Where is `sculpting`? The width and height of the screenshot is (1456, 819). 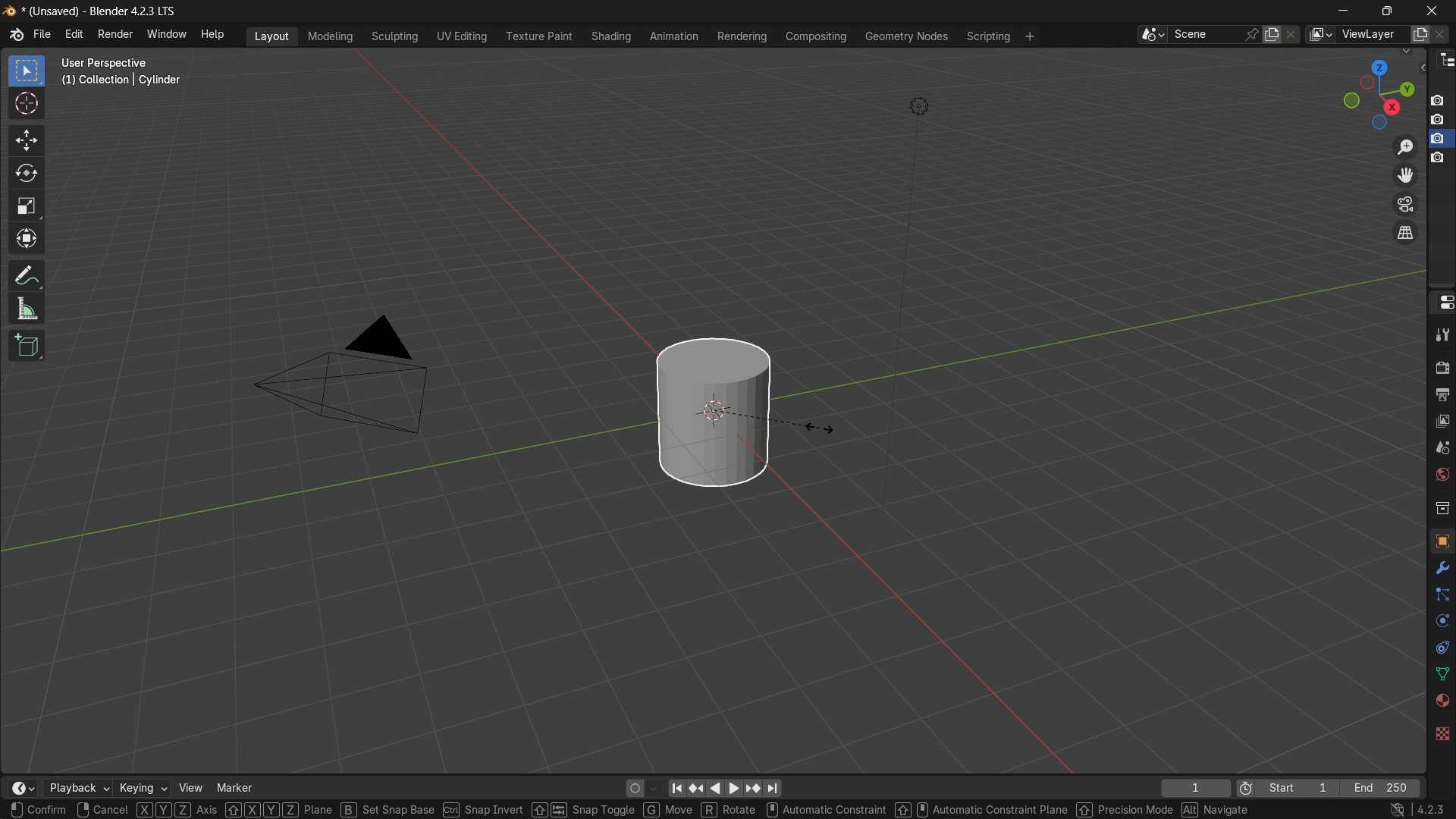 sculpting is located at coordinates (395, 36).